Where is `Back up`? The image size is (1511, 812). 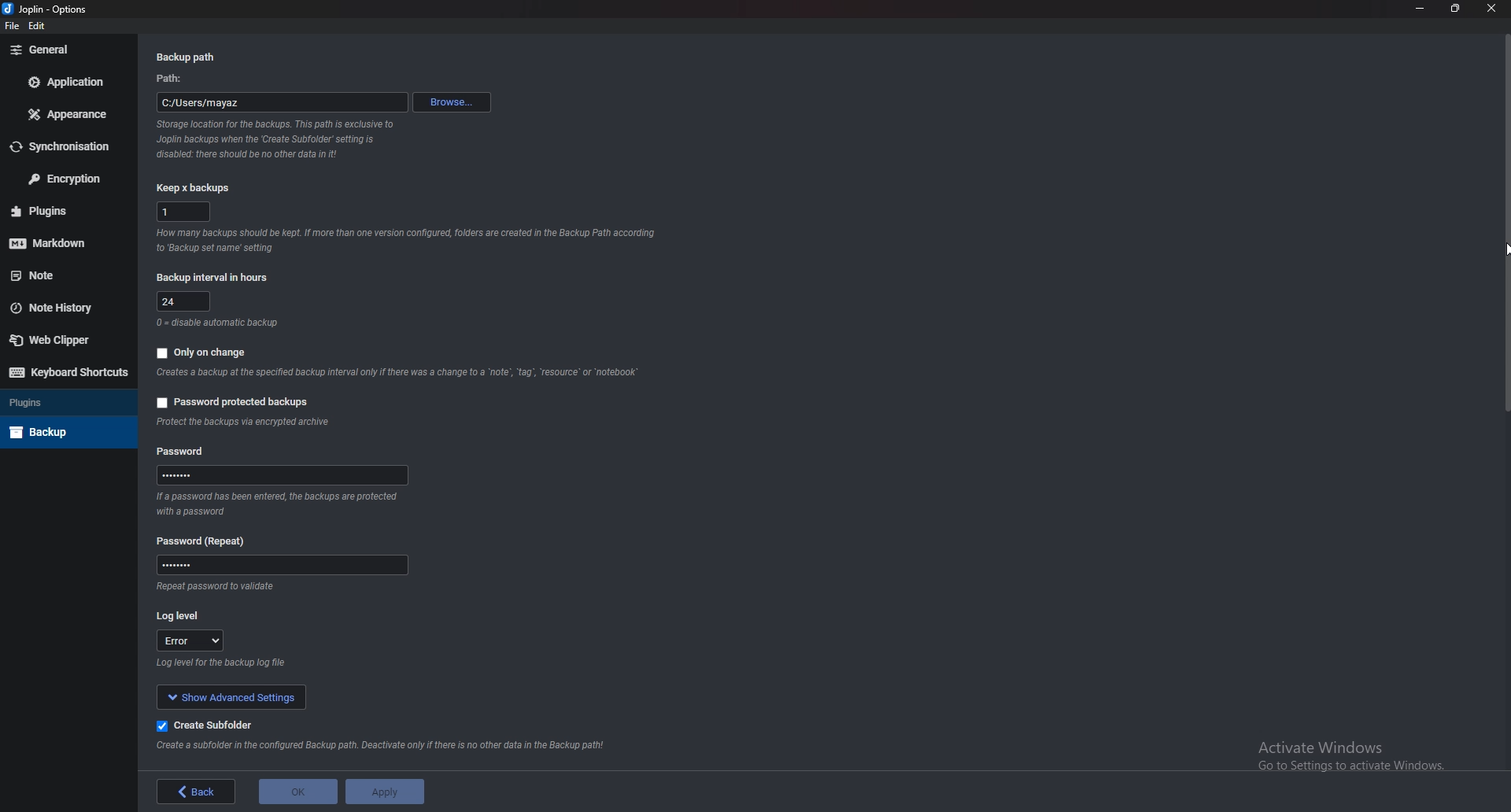
Back up is located at coordinates (65, 430).